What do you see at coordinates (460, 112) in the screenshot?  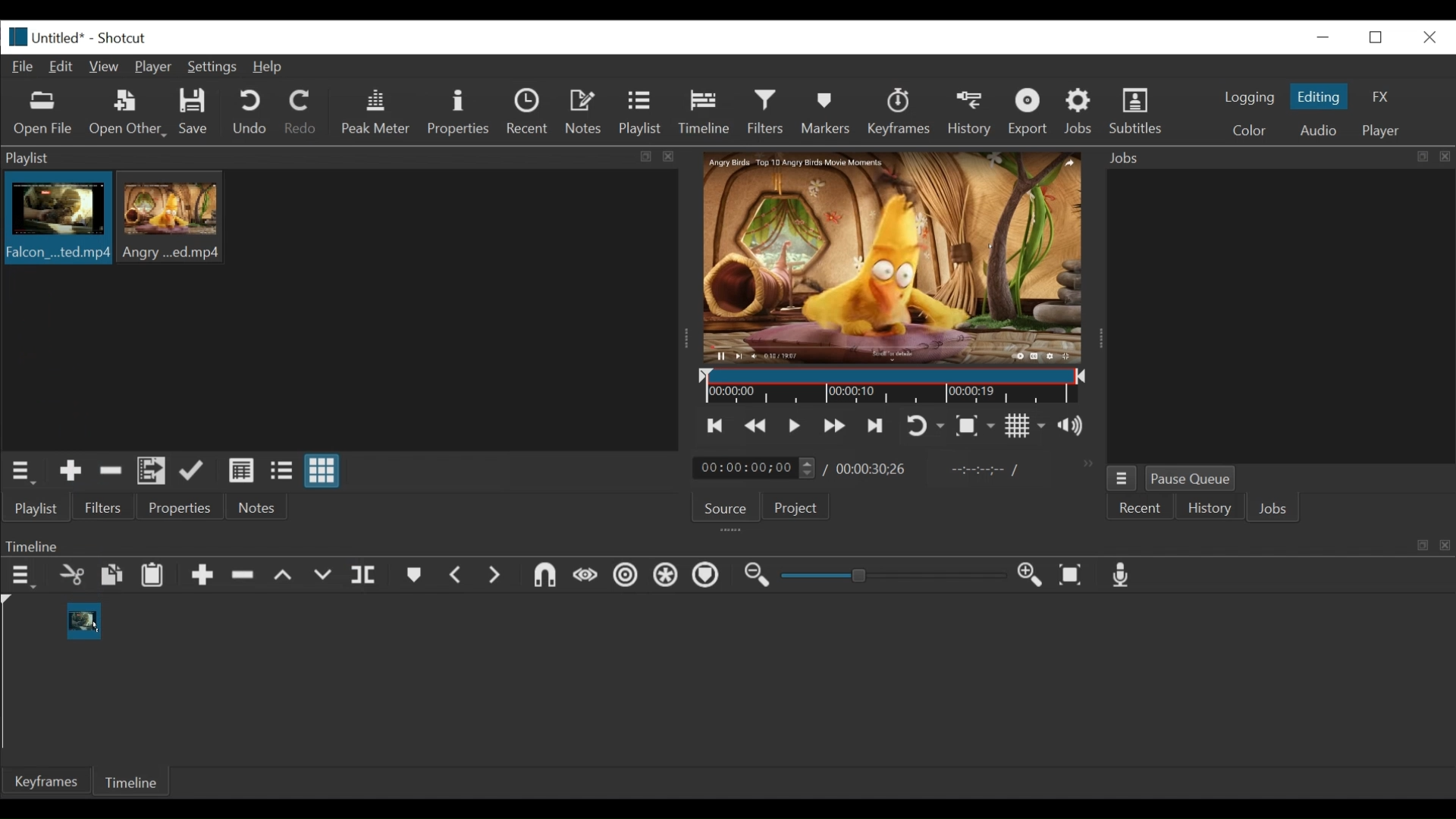 I see `Properties` at bounding box center [460, 112].